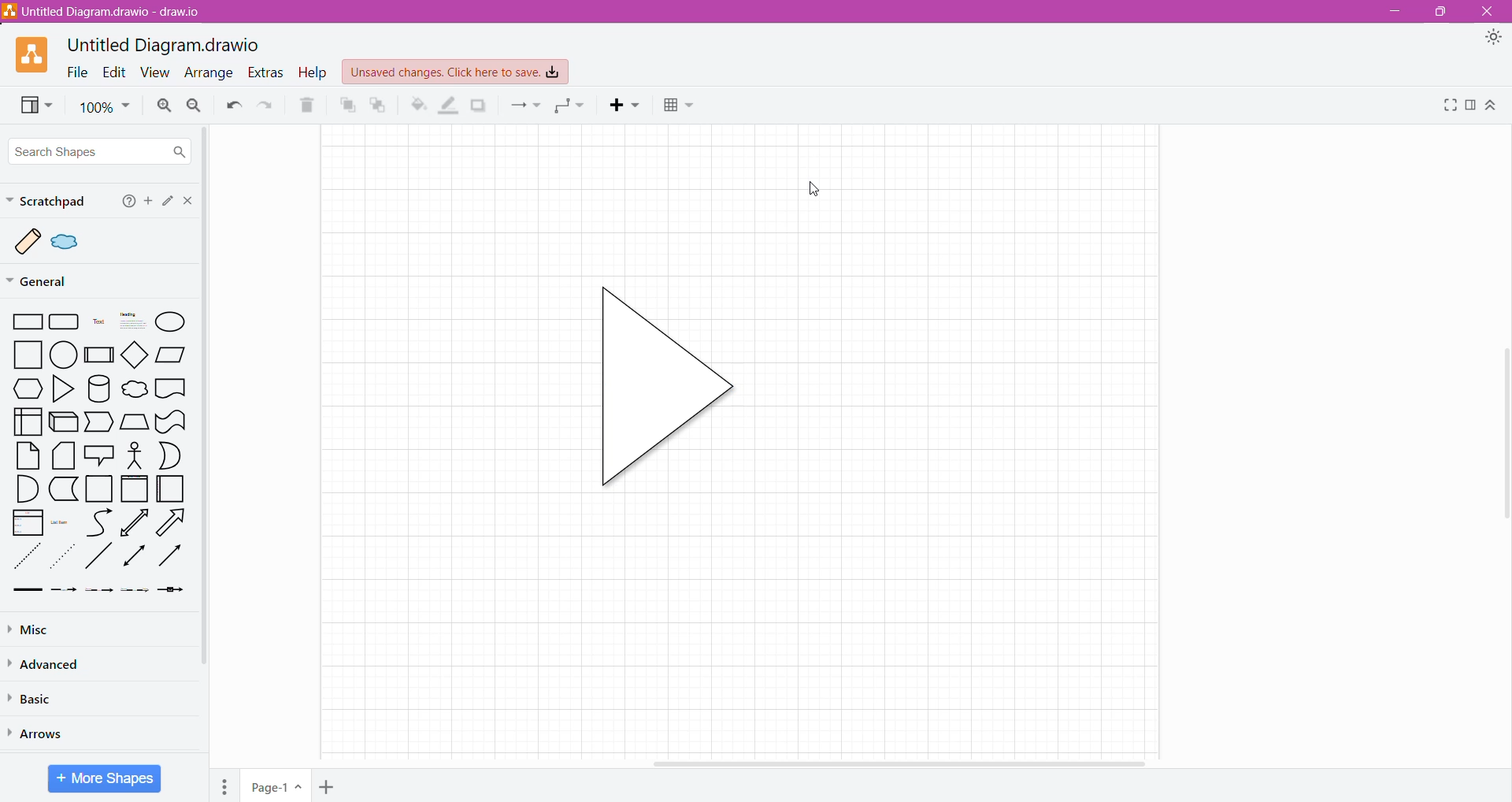 The height and width of the screenshot is (802, 1512). What do you see at coordinates (418, 106) in the screenshot?
I see `Fill Color` at bounding box center [418, 106].